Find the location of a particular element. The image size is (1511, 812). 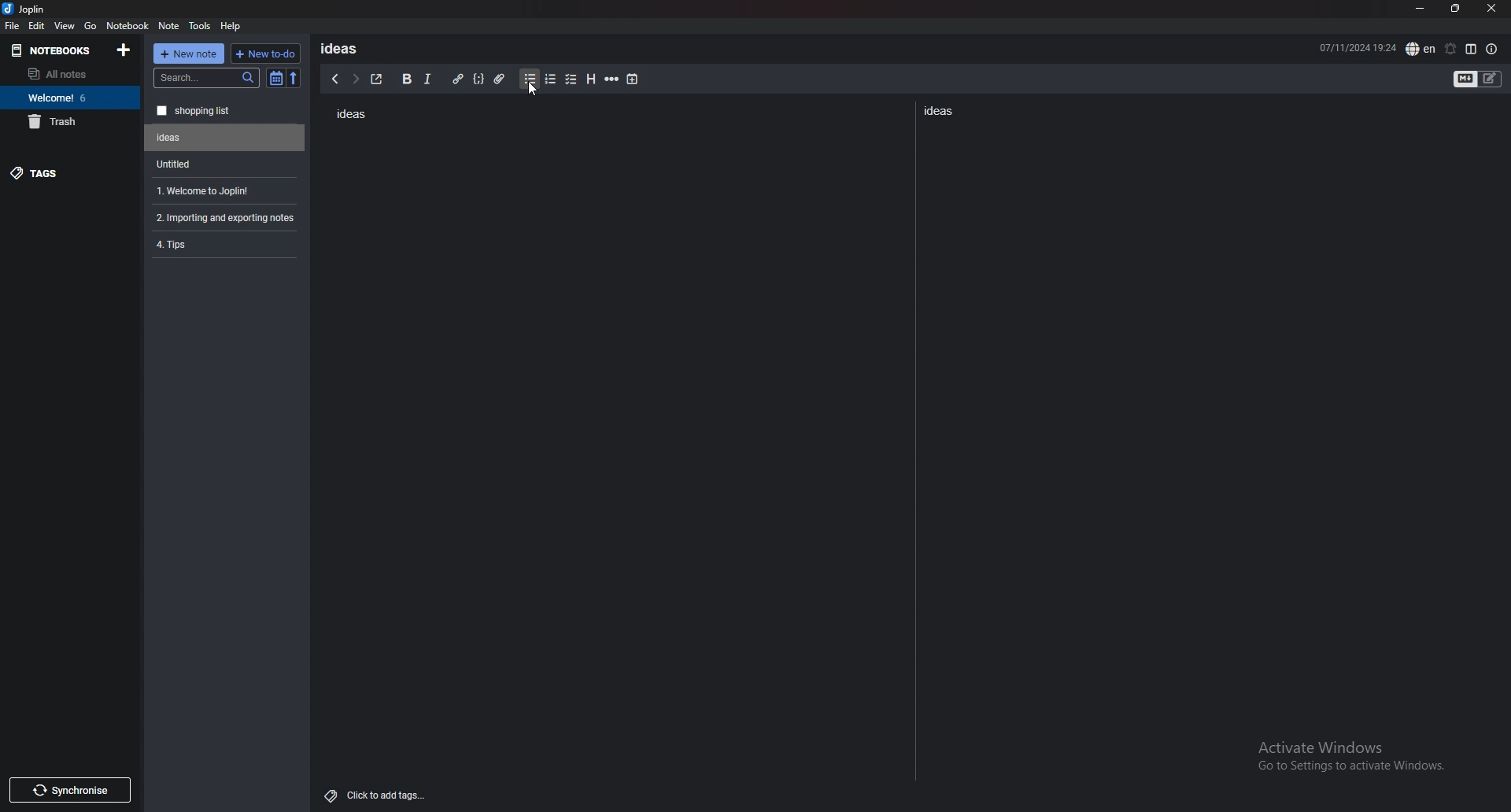

tools is located at coordinates (201, 26).